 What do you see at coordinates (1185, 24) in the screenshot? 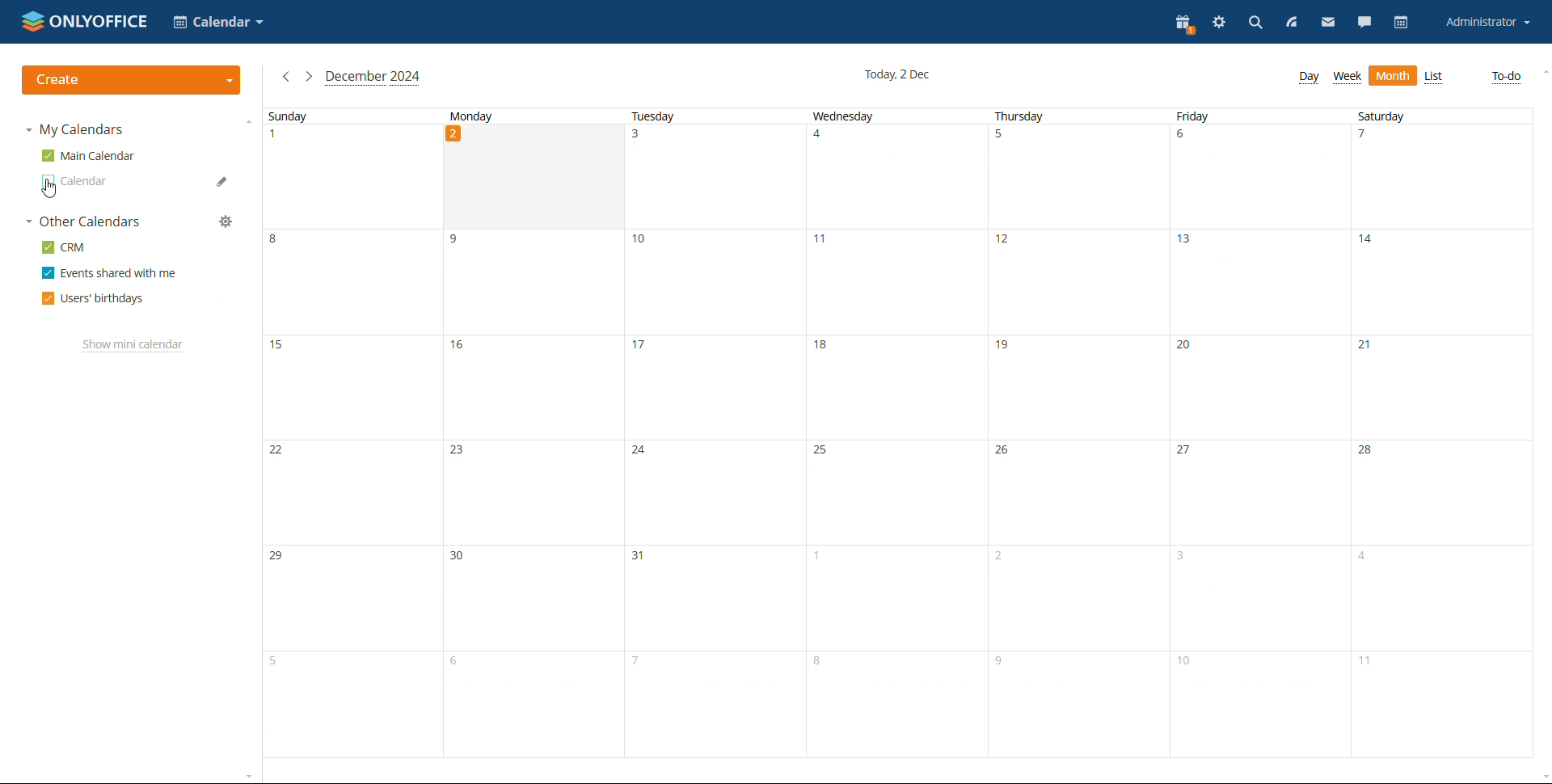
I see `present` at bounding box center [1185, 24].